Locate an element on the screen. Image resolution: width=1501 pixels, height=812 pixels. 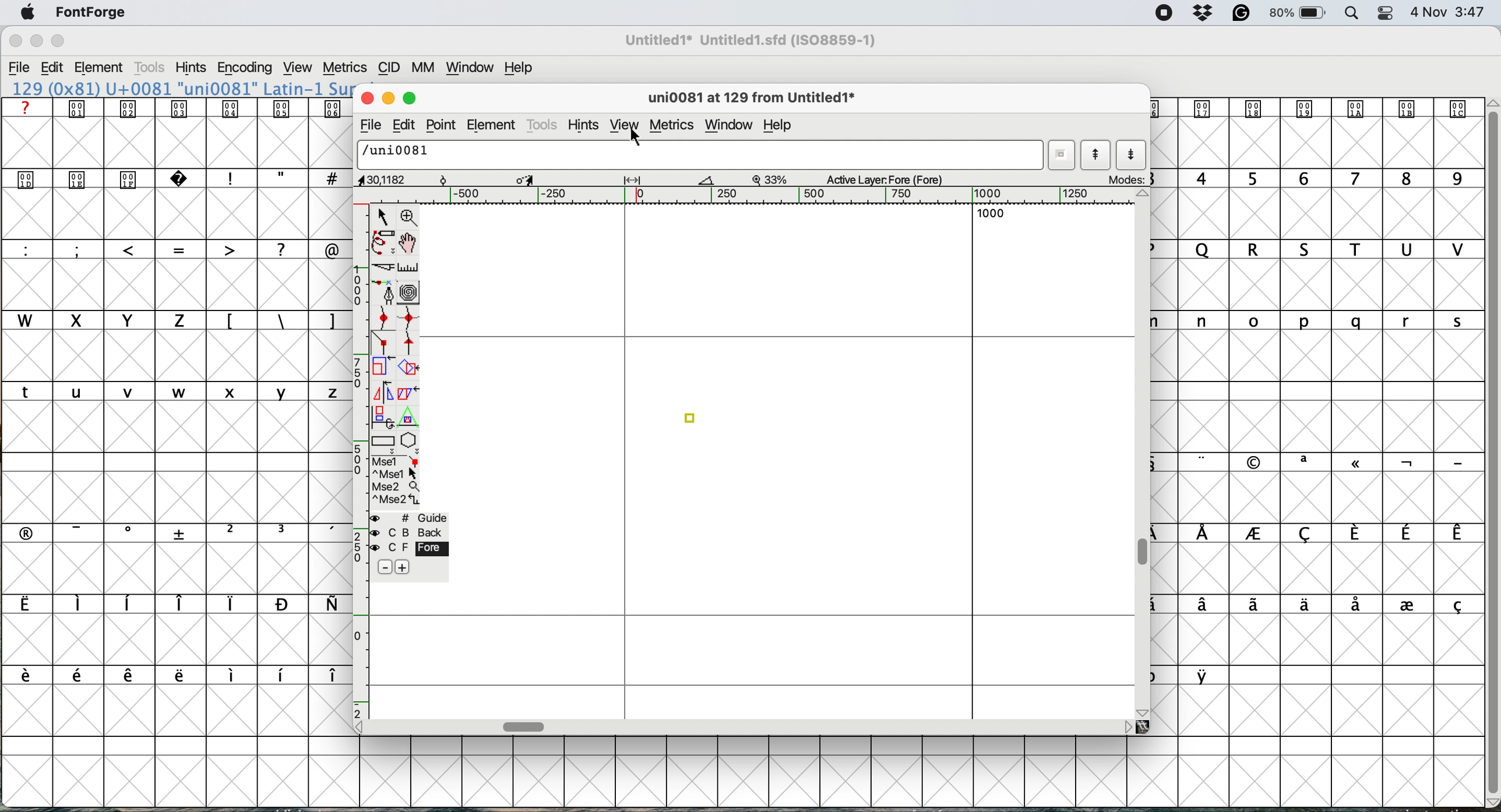
rotate the selection in 3d is located at coordinates (383, 416).